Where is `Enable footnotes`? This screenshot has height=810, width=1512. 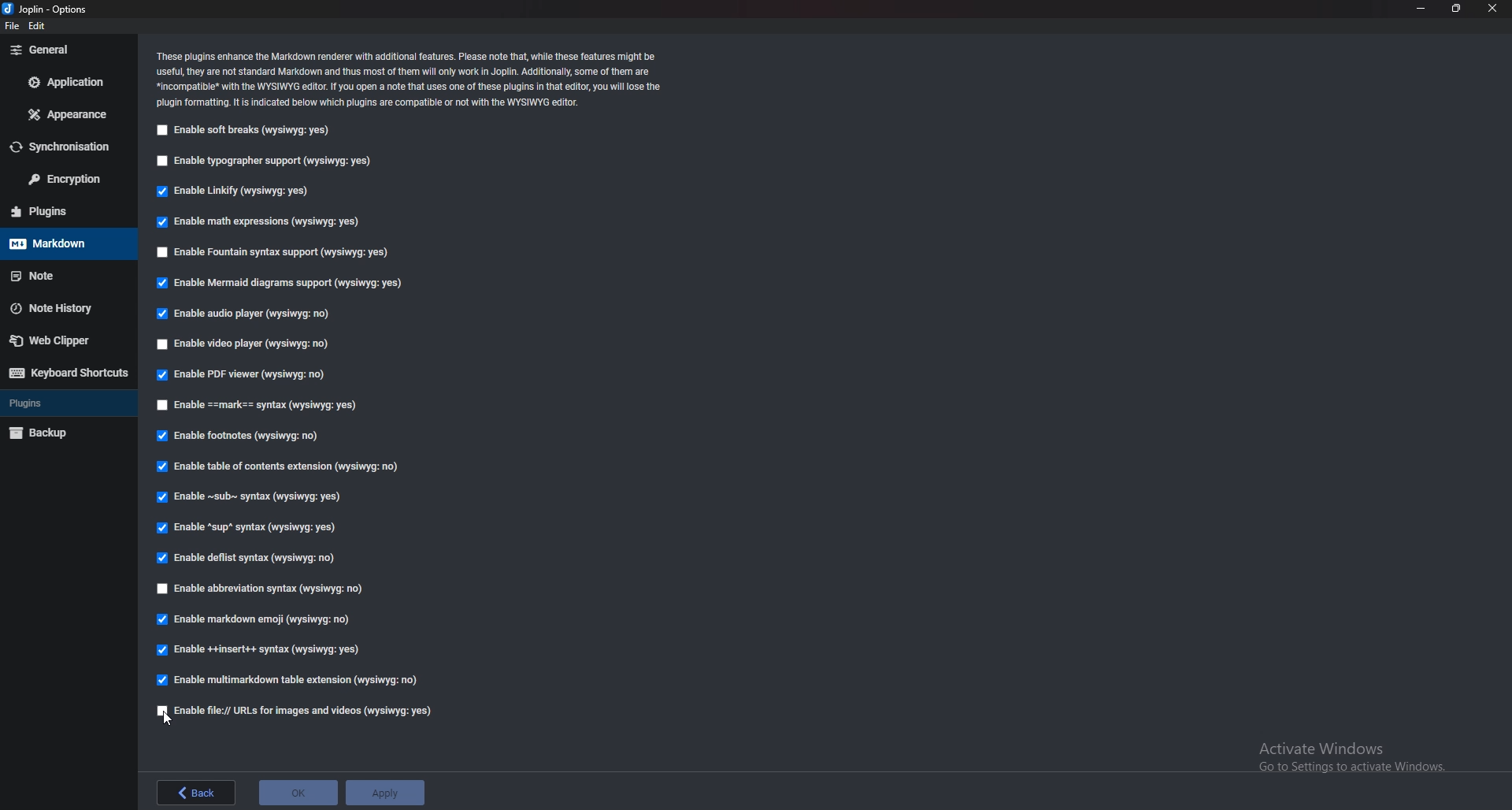
Enable footnotes is located at coordinates (243, 437).